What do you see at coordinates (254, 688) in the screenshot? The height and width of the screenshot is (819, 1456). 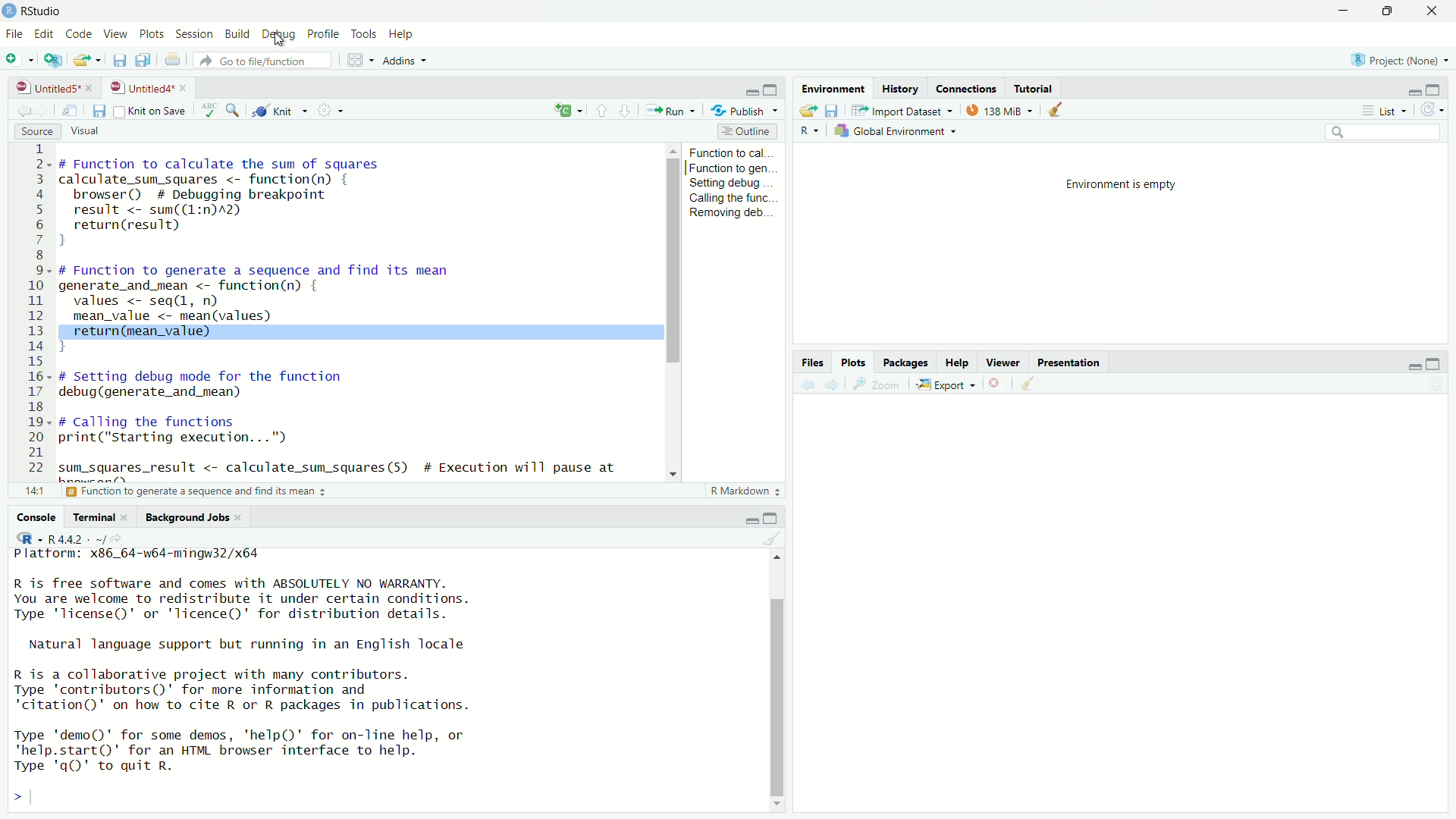 I see `R is a collaborative project with many contributors.
Type 'contributors()' for more information and
"citation()' on how to cite R or R packages in publications.` at bounding box center [254, 688].